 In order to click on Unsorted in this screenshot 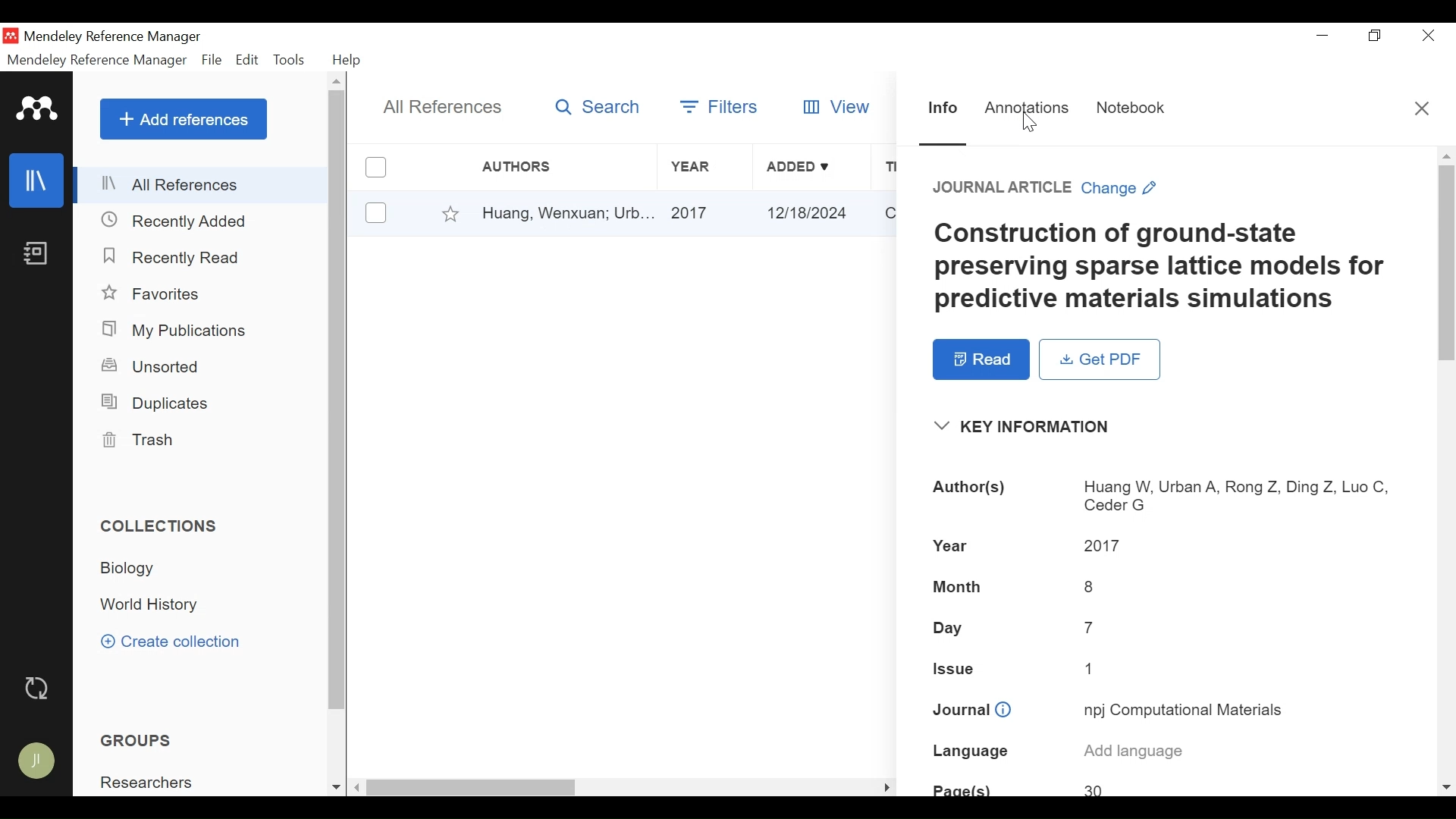, I will do `click(158, 367)`.